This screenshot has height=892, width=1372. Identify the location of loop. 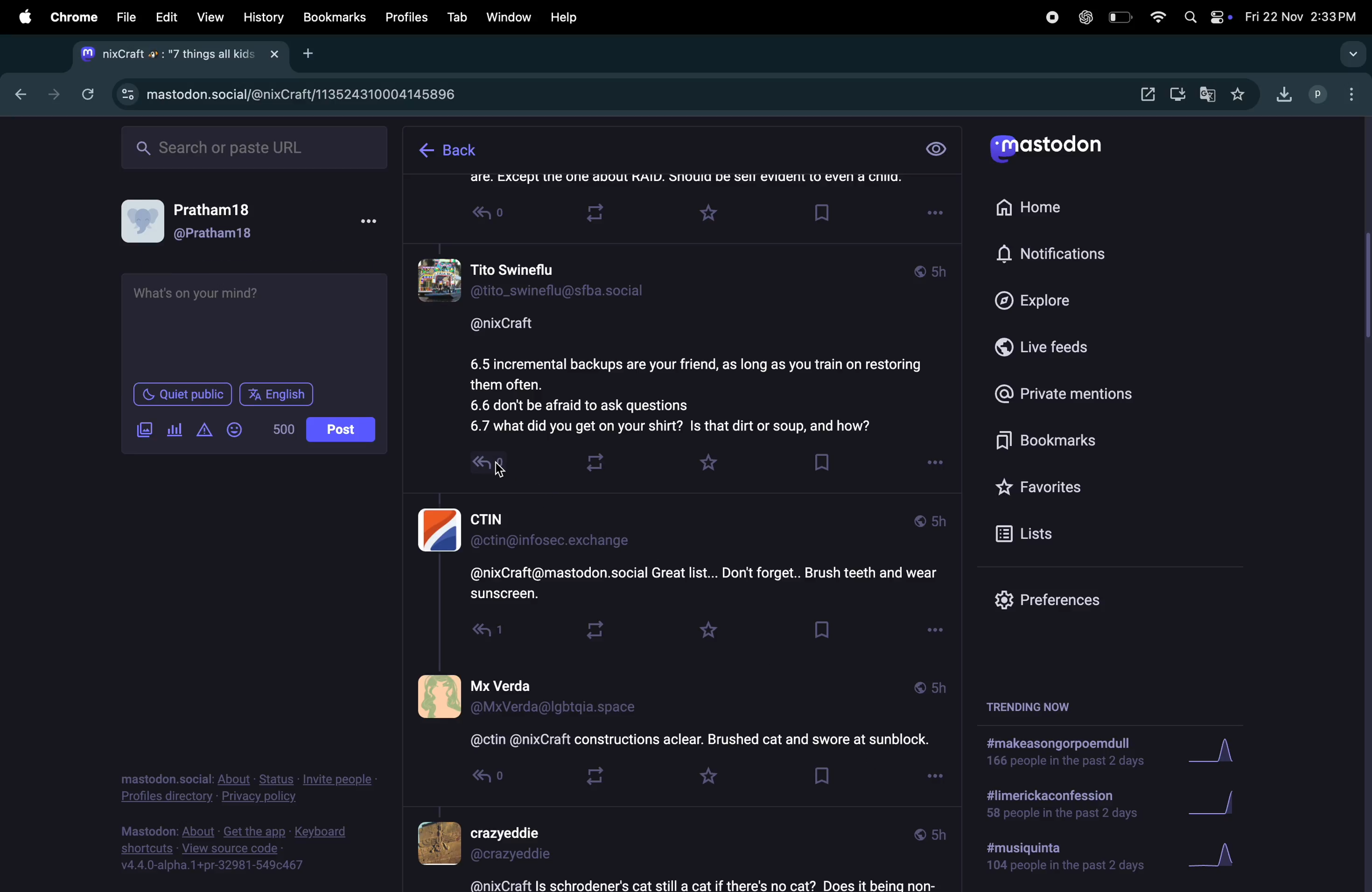
(594, 459).